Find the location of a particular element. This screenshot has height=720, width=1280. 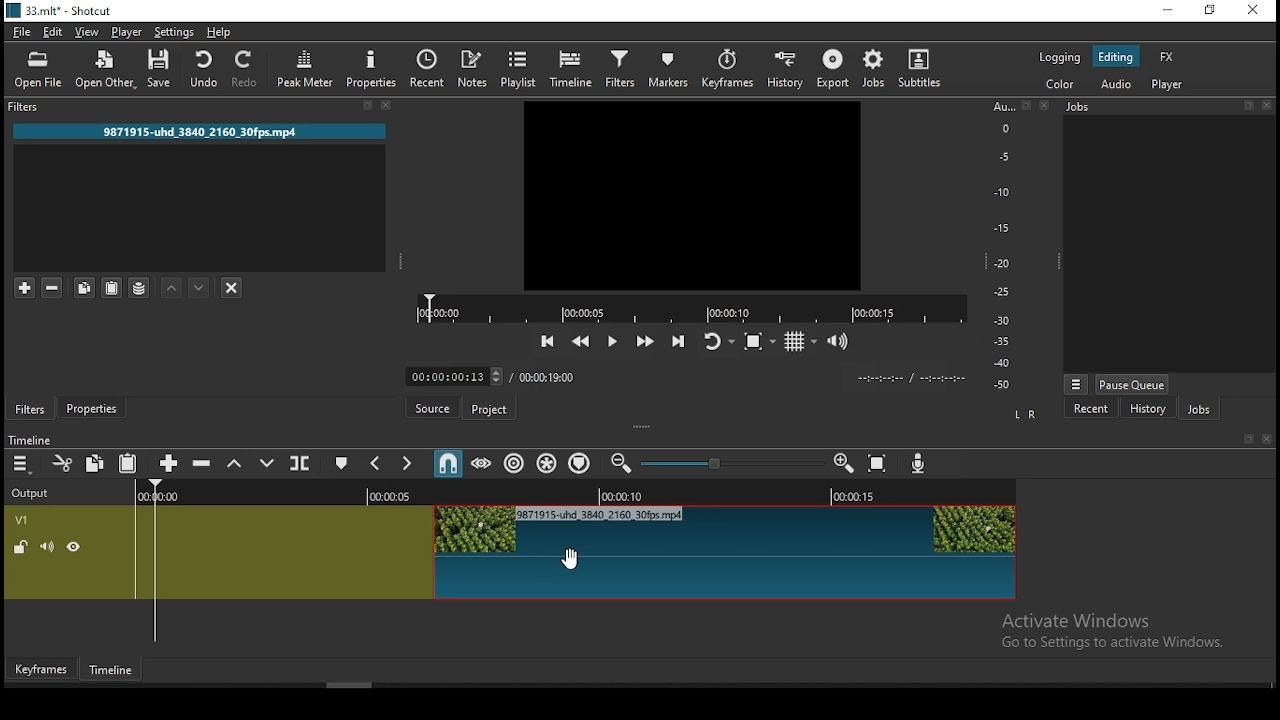

add a filter is located at coordinates (24, 287).